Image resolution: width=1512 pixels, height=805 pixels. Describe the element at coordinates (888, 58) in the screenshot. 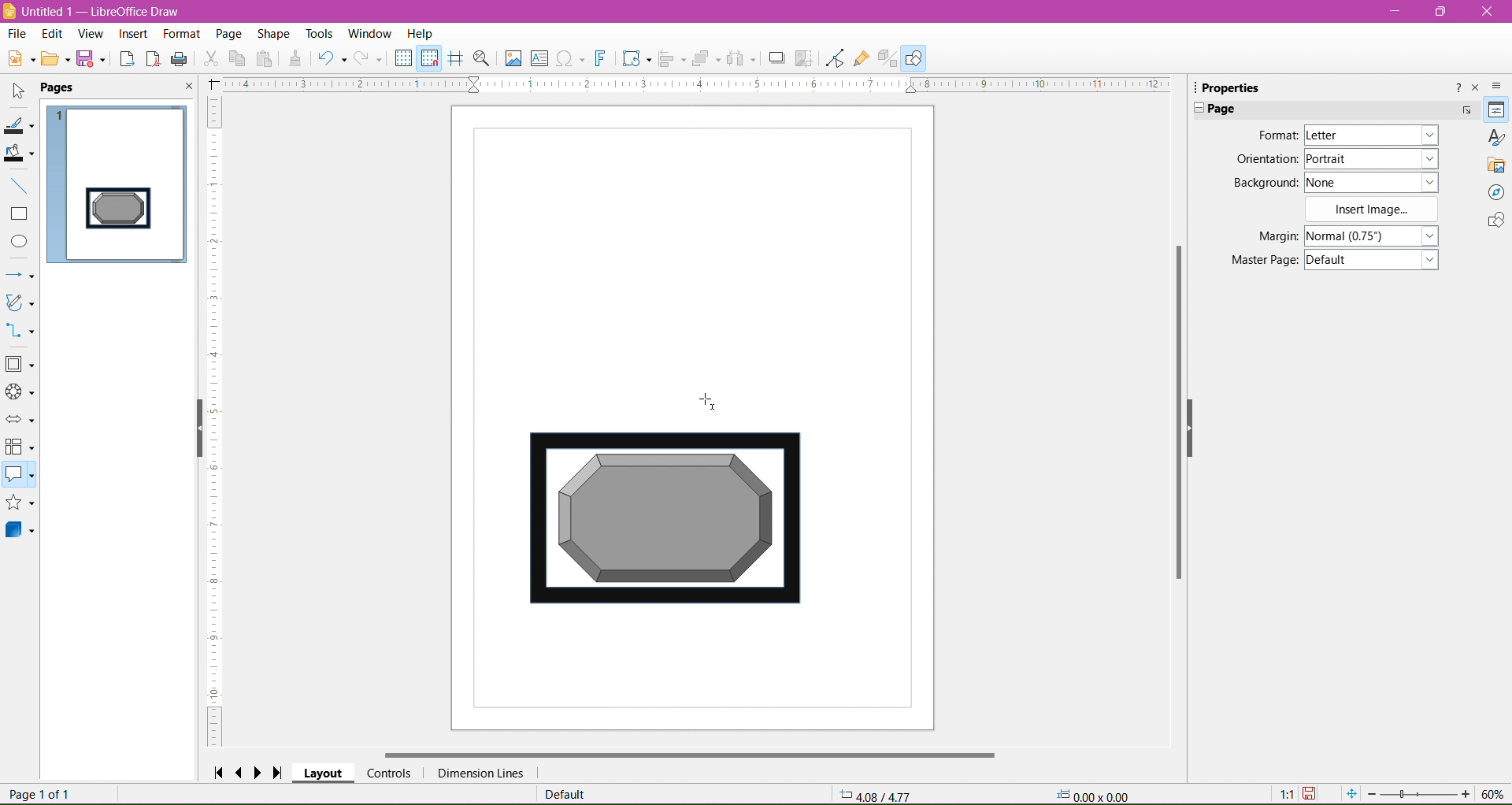

I see `Toggle Extrusion` at that location.